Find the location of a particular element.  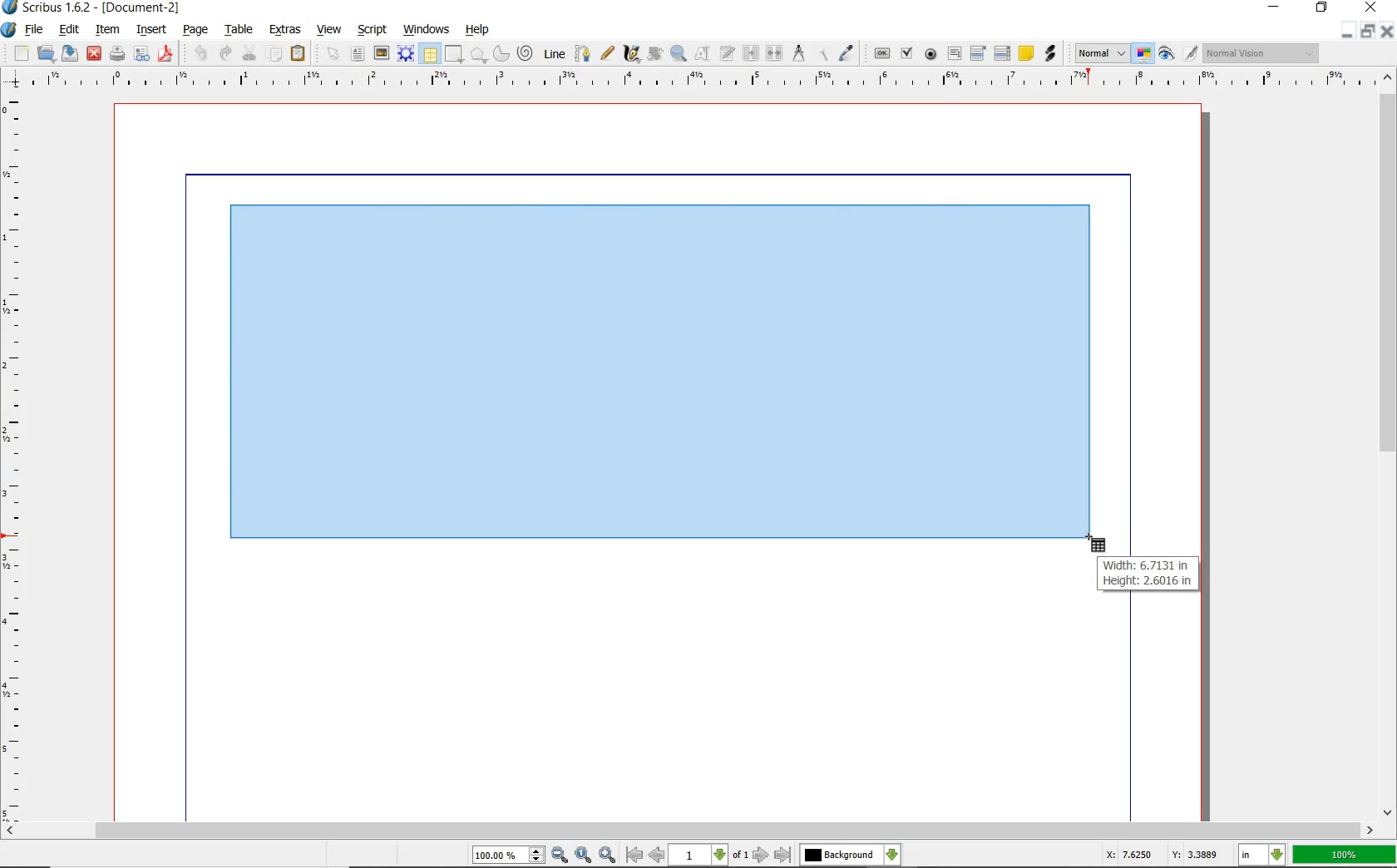

calligraphic line is located at coordinates (630, 55).